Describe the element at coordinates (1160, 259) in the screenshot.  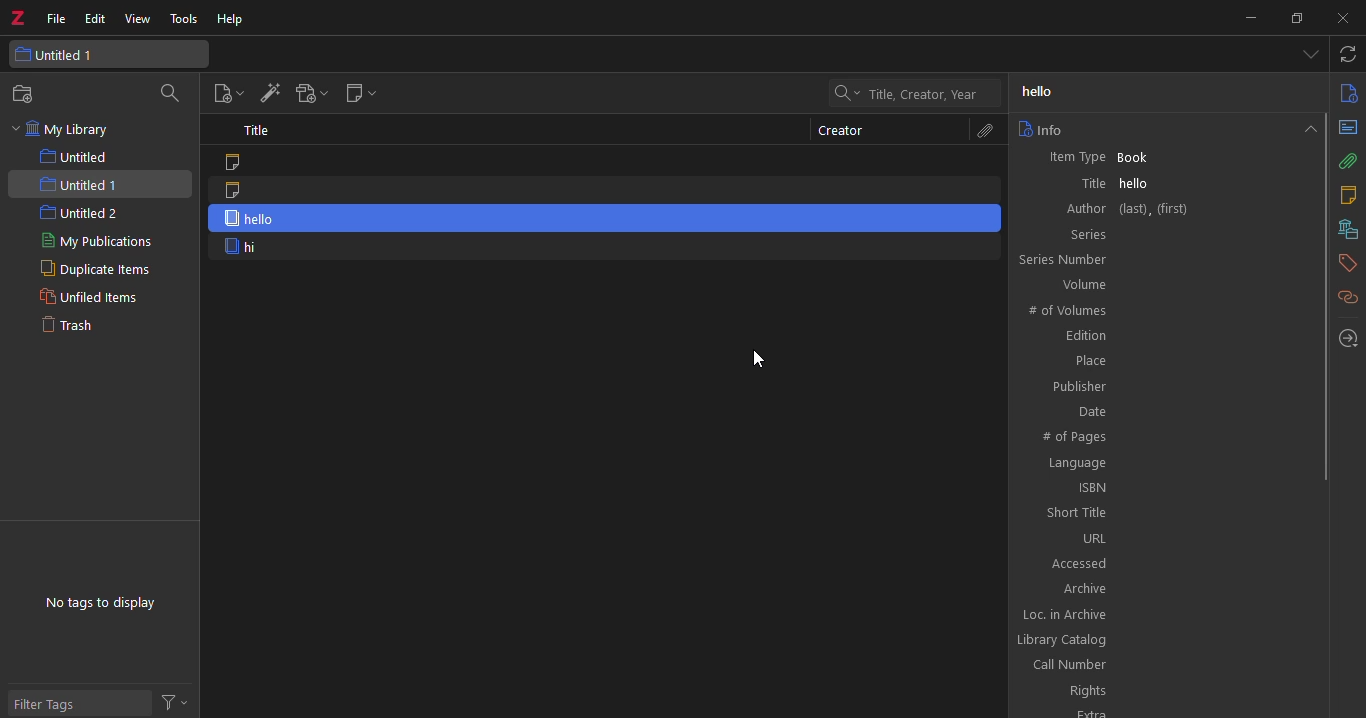
I see `series number` at that location.